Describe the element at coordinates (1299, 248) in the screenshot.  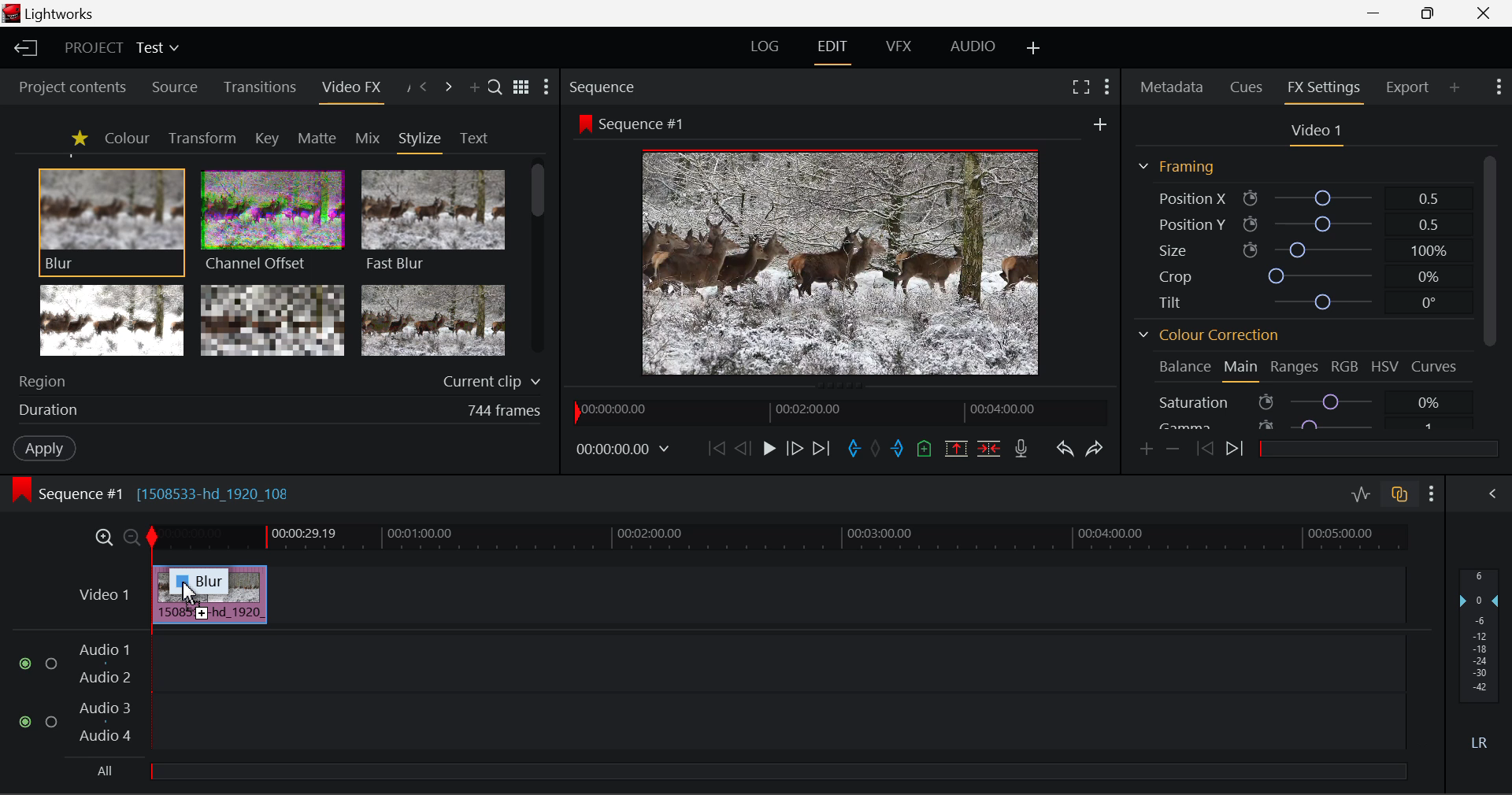
I see `Size` at that location.